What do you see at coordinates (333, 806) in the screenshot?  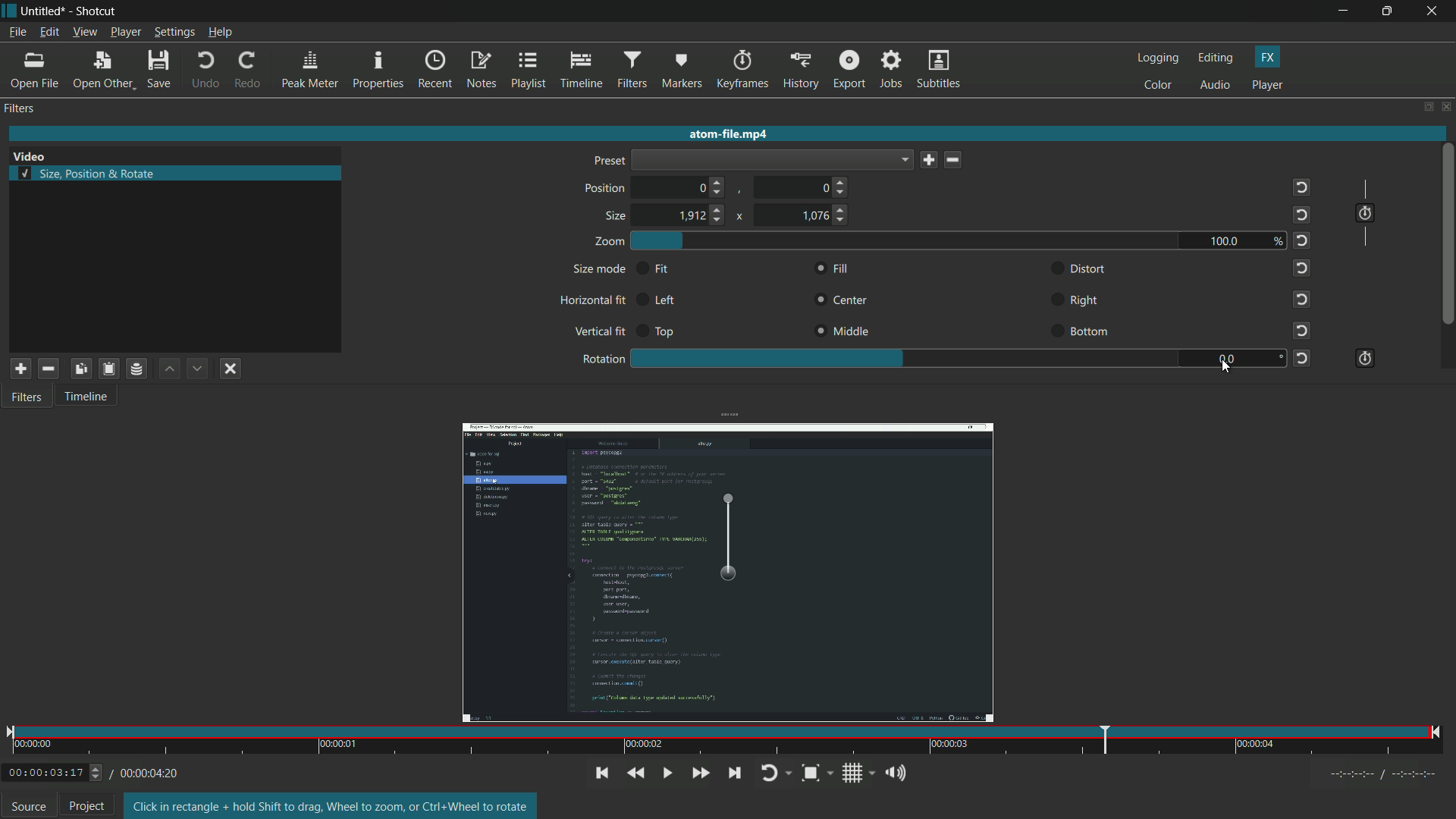 I see `text` at bounding box center [333, 806].